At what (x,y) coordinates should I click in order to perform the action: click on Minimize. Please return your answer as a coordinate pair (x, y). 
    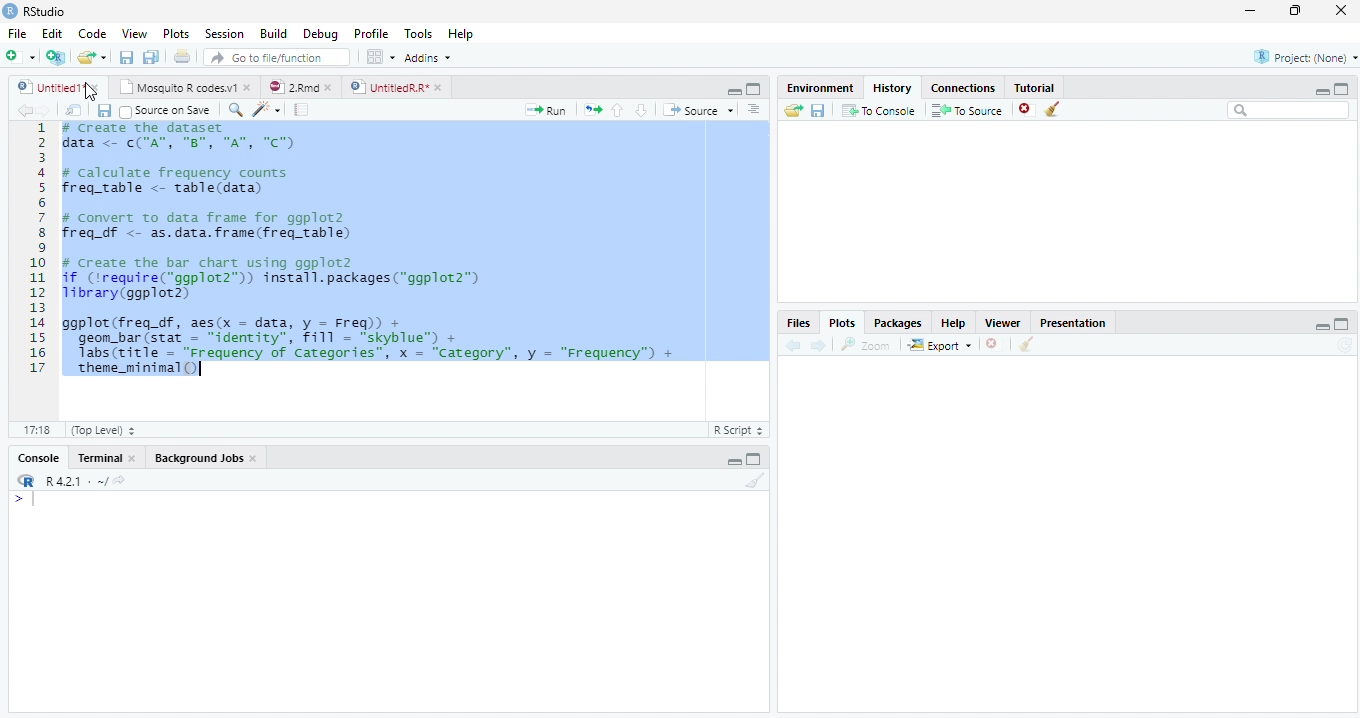
    Looking at the image, I should click on (734, 461).